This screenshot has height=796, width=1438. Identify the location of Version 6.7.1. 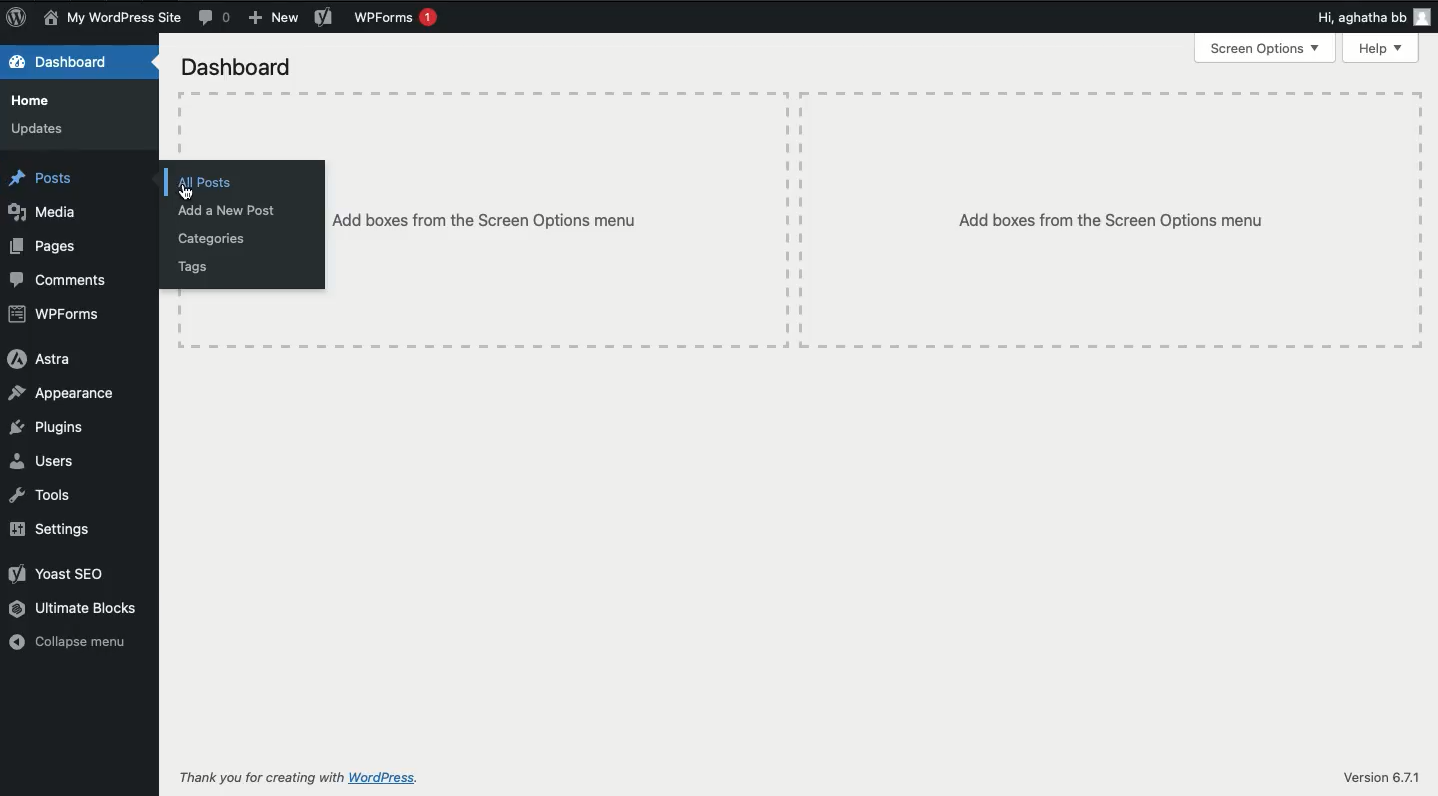
(1381, 779).